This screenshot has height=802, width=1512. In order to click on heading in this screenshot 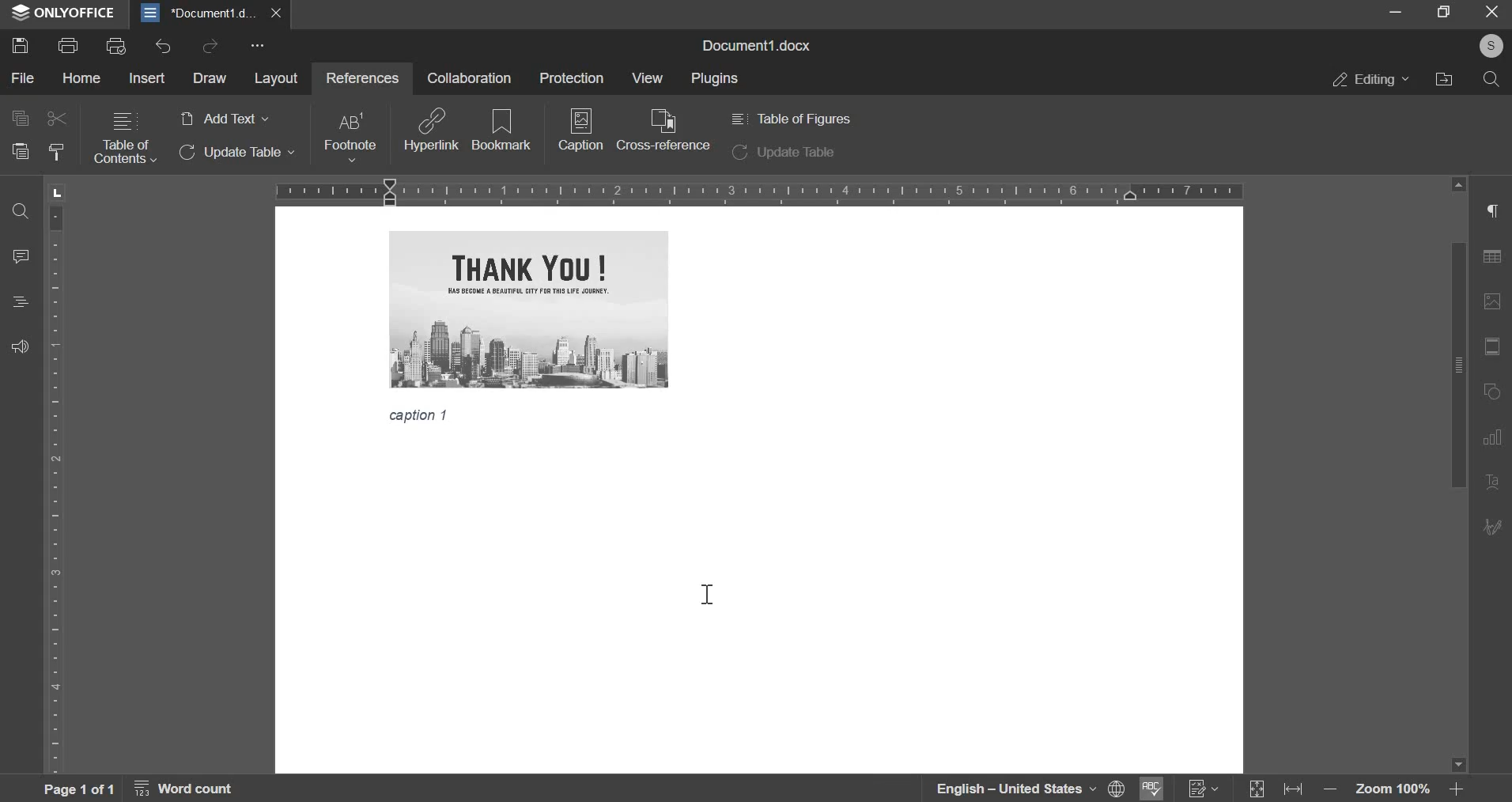, I will do `click(21, 301)`.